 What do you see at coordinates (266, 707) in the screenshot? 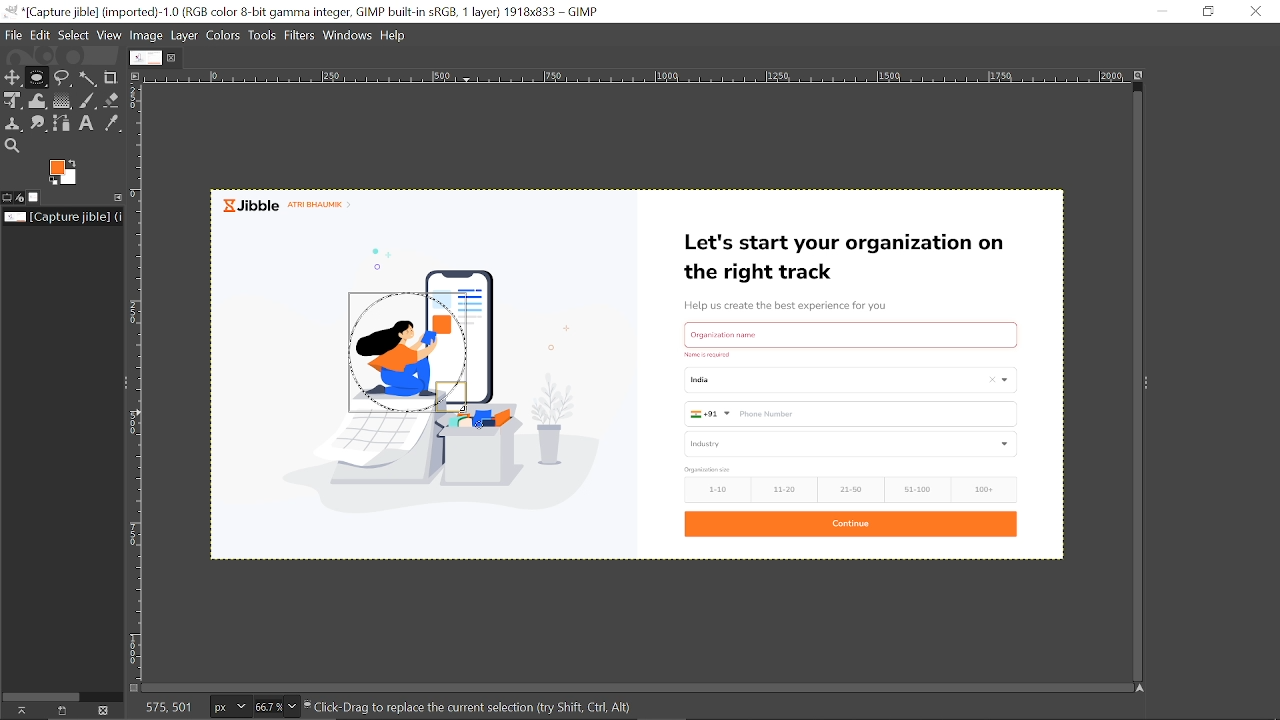
I see `Current zoom` at bounding box center [266, 707].